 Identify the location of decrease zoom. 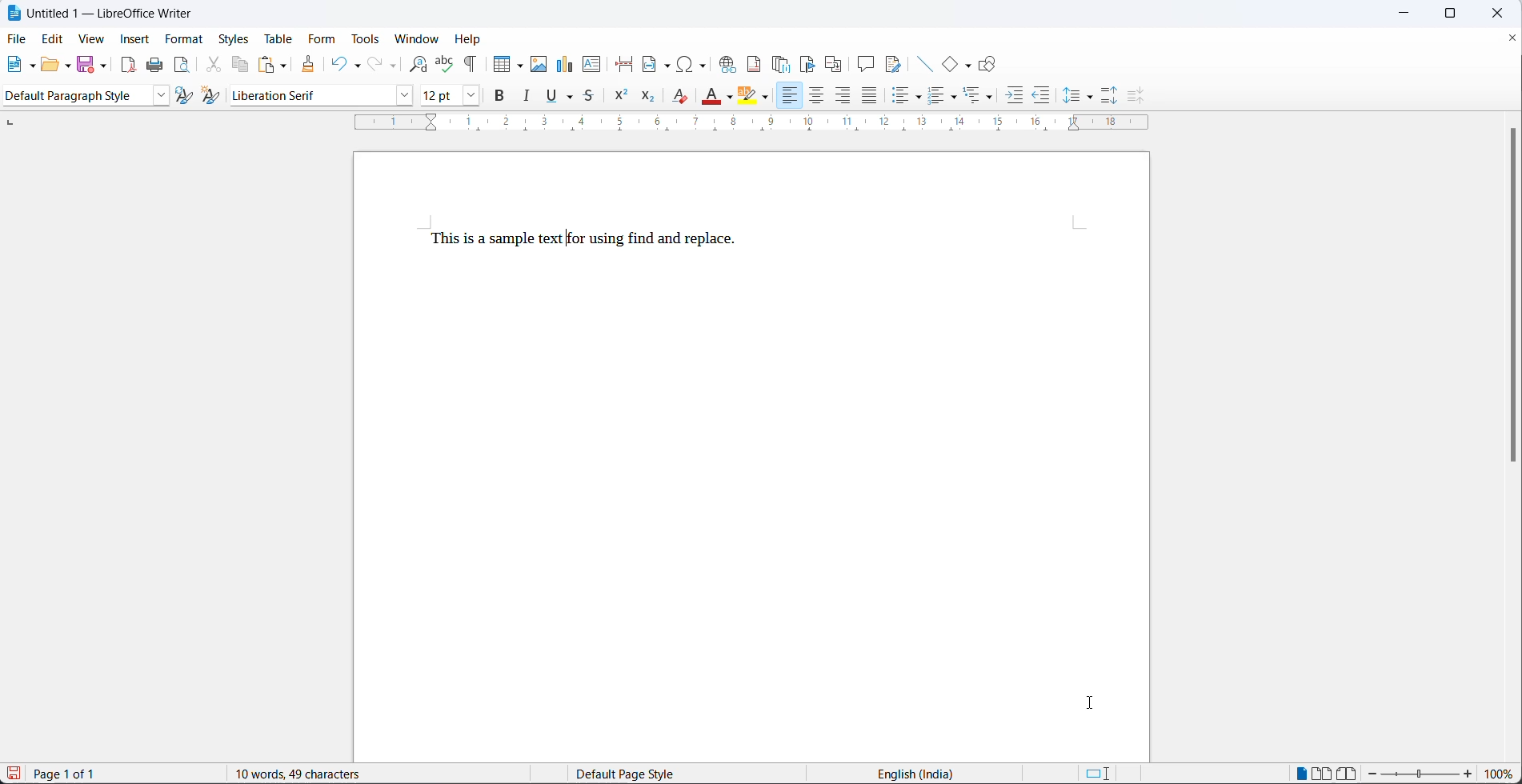
(1372, 774).